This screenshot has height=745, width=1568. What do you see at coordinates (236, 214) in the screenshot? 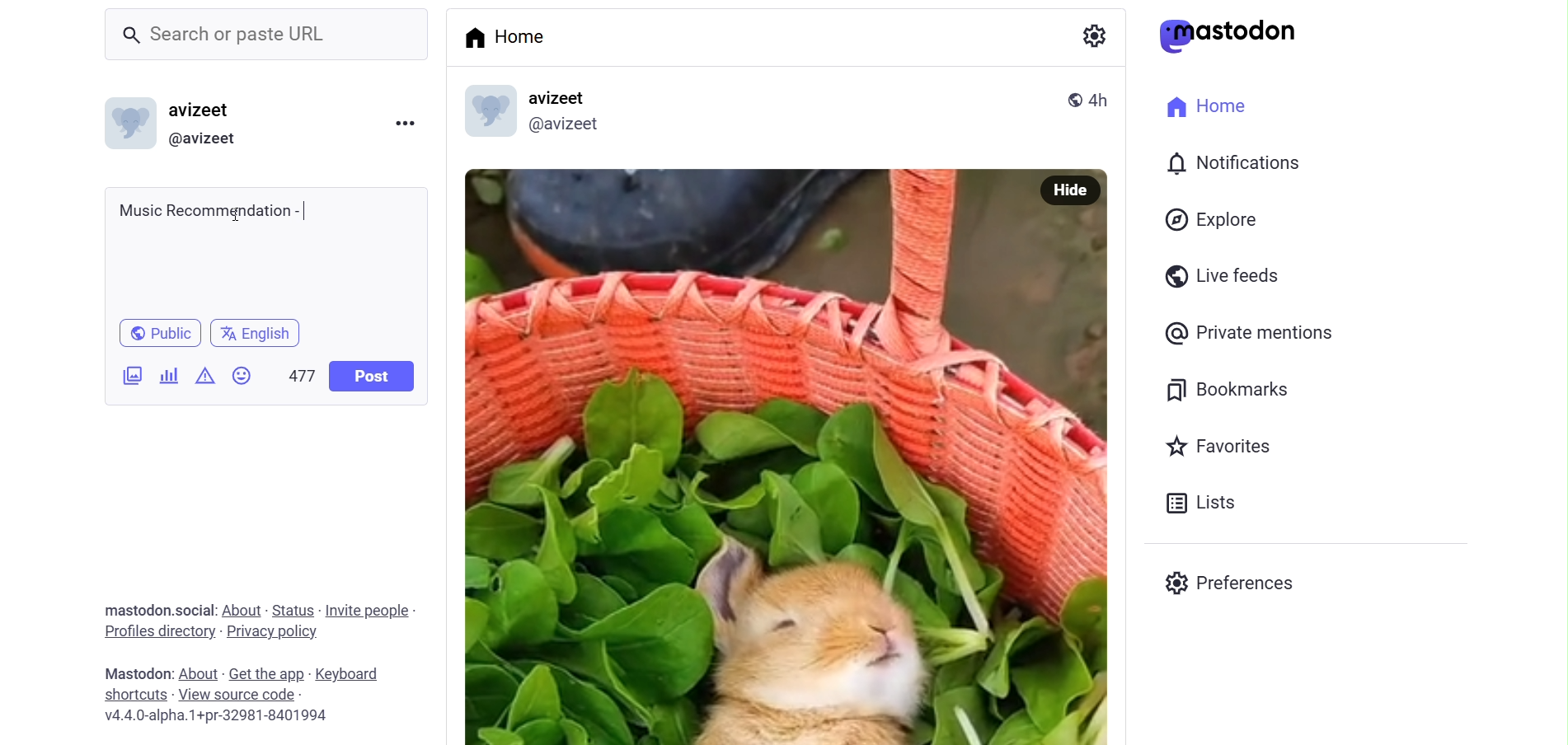
I see `cursor` at bounding box center [236, 214].